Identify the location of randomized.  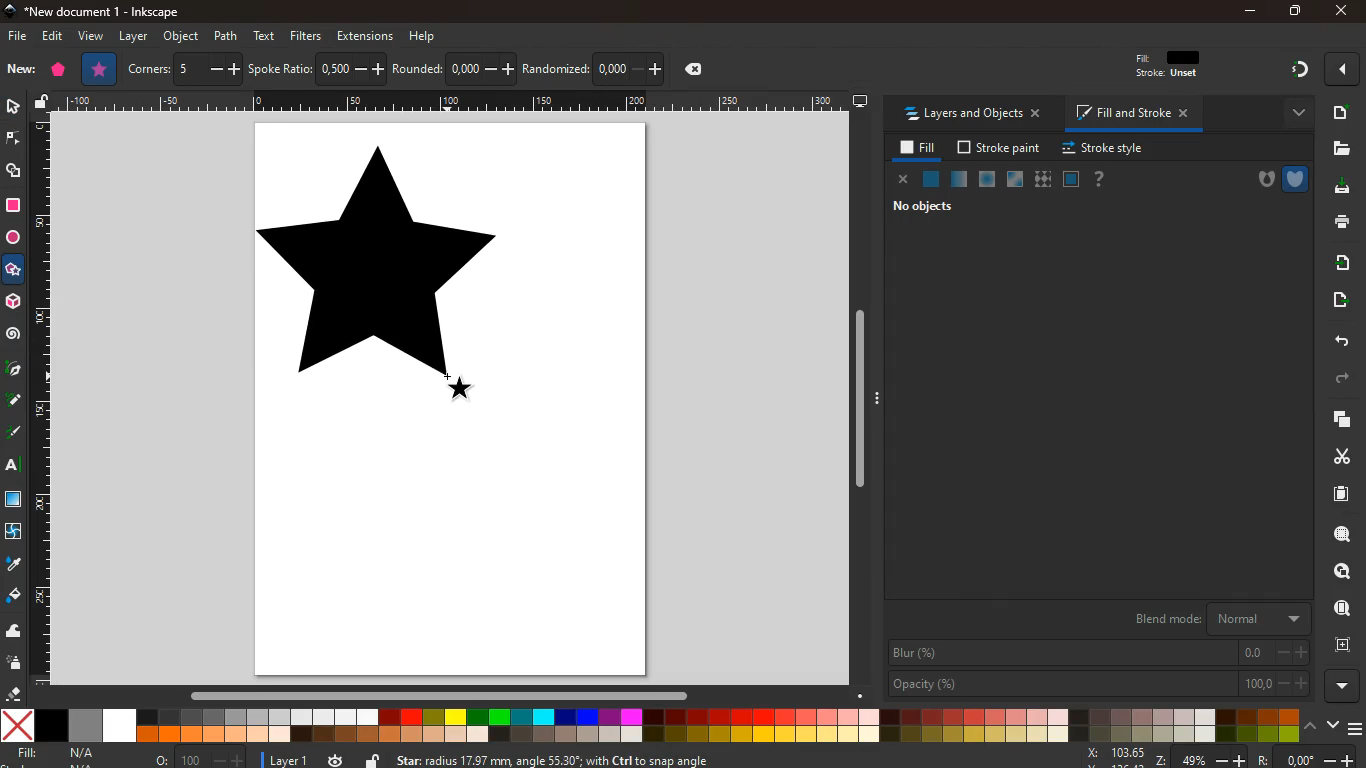
(593, 67).